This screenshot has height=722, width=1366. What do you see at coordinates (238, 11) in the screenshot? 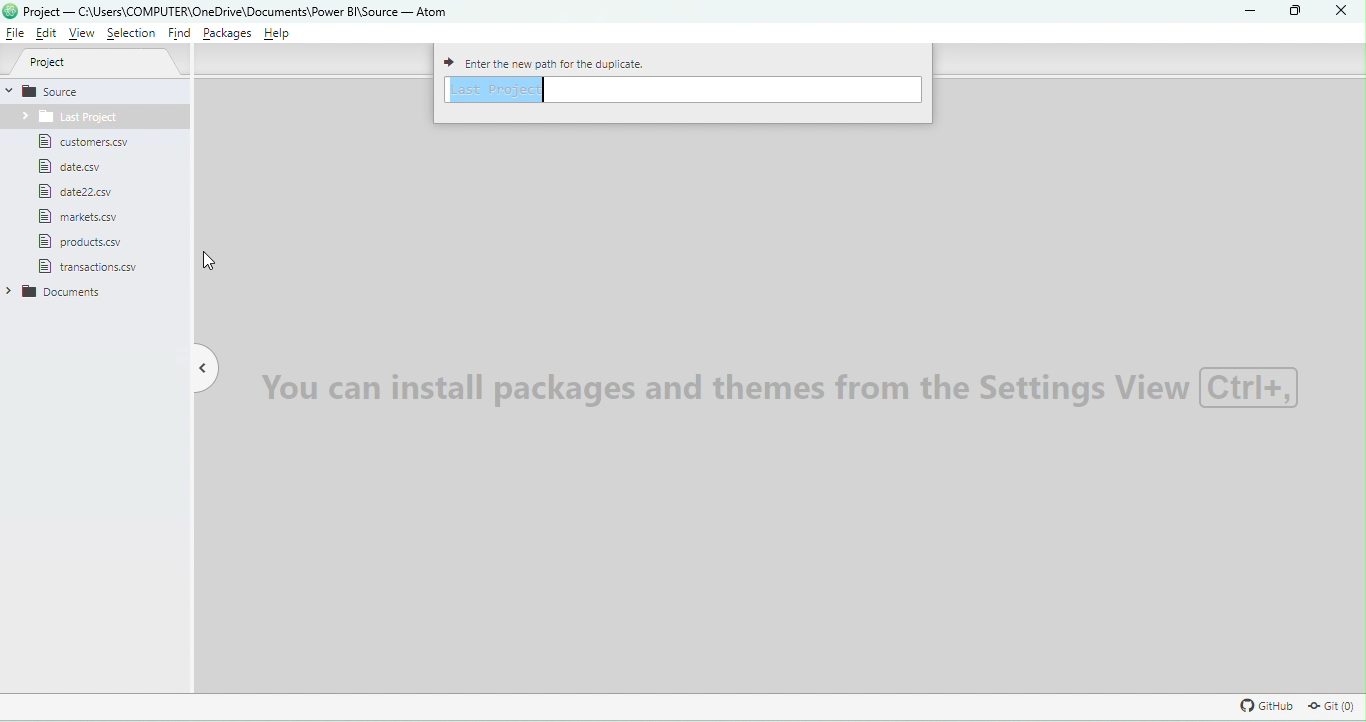
I see `File name` at bounding box center [238, 11].